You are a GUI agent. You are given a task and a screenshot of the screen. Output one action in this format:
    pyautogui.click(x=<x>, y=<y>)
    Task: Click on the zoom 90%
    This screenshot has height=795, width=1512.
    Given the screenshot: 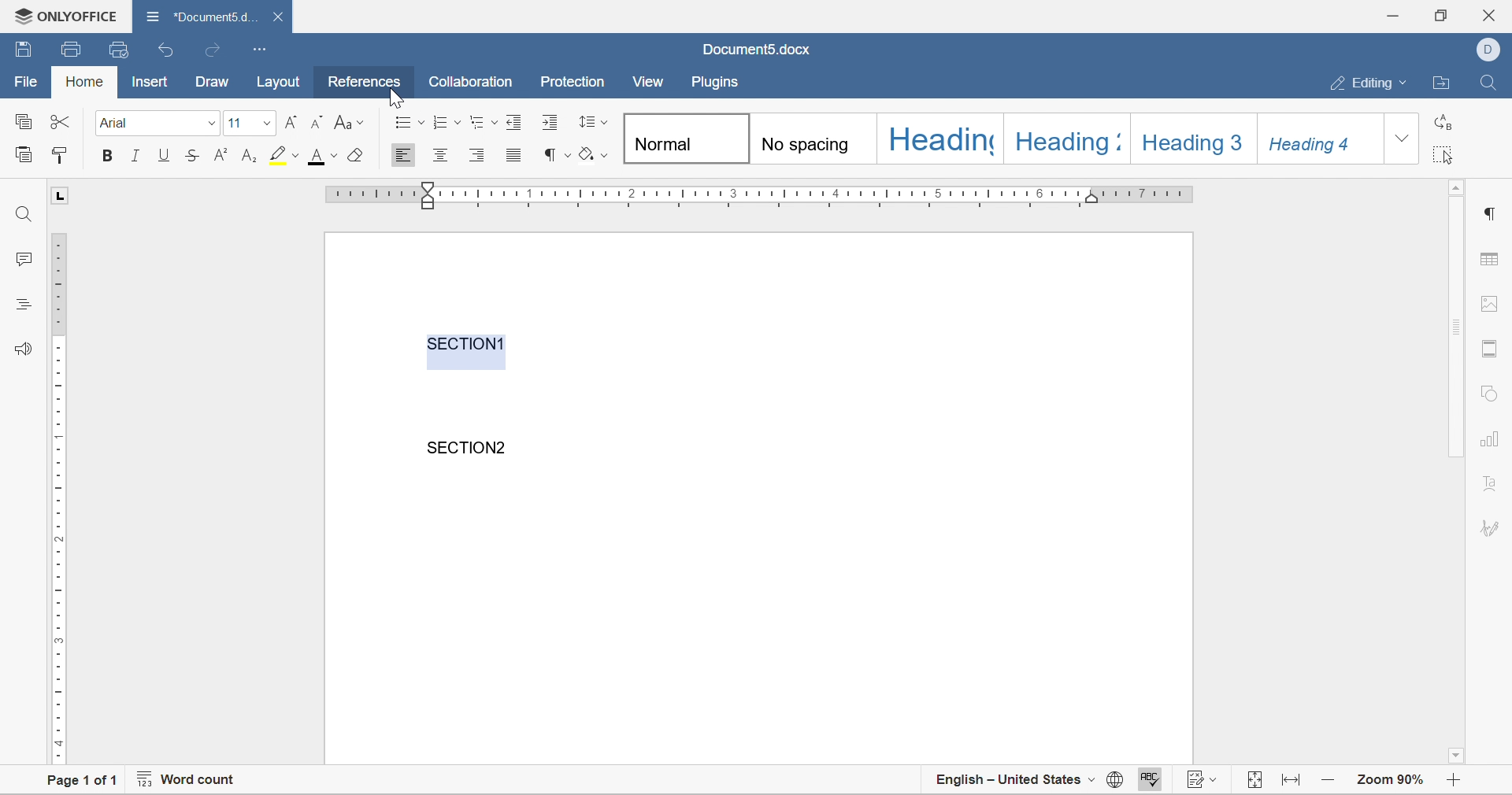 What is the action you would take?
    pyautogui.click(x=1390, y=778)
    